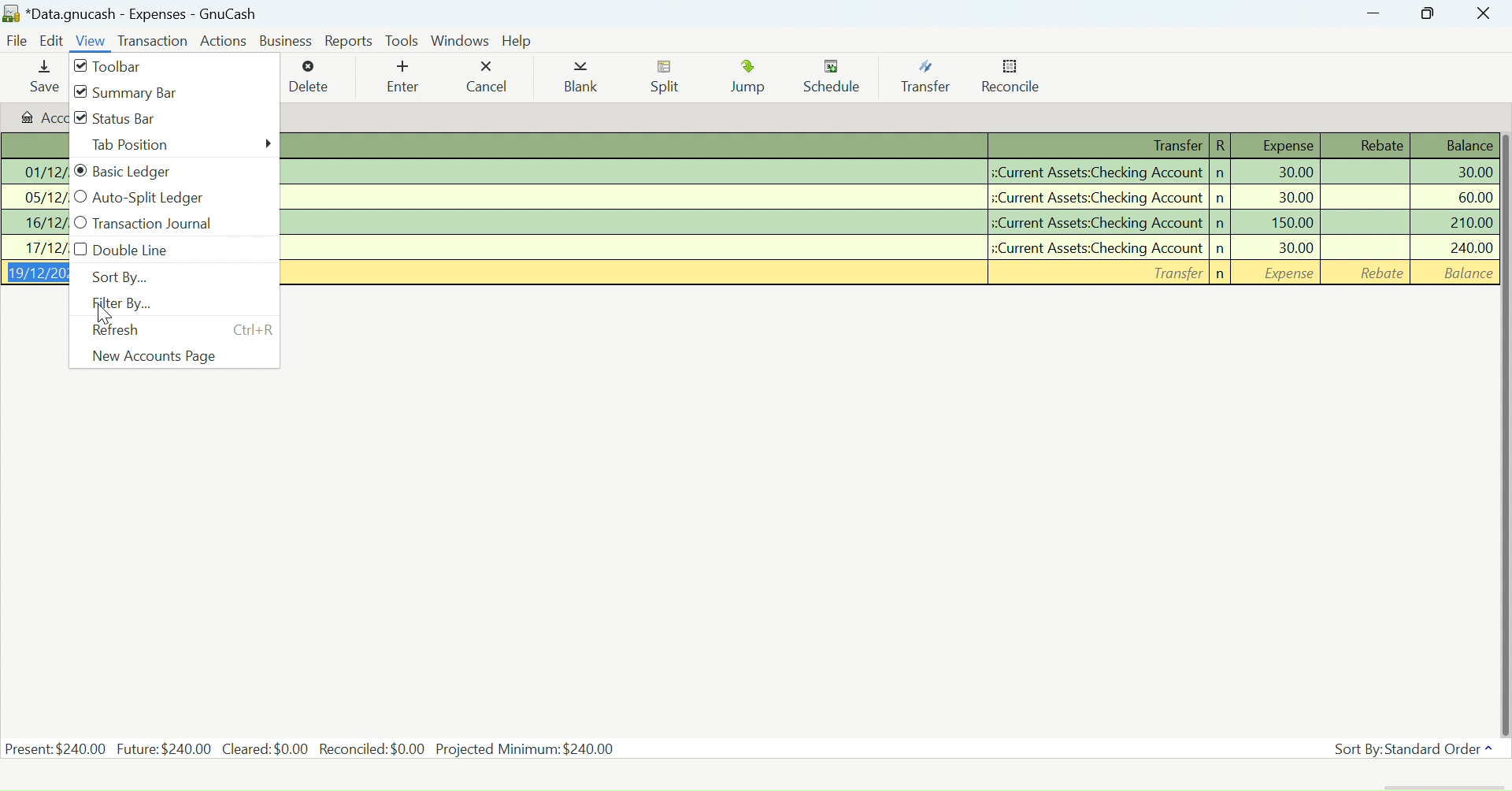 The width and height of the screenshot is (1512, 791). I want to click on Office Supplies Transaction, so click(890, 171).